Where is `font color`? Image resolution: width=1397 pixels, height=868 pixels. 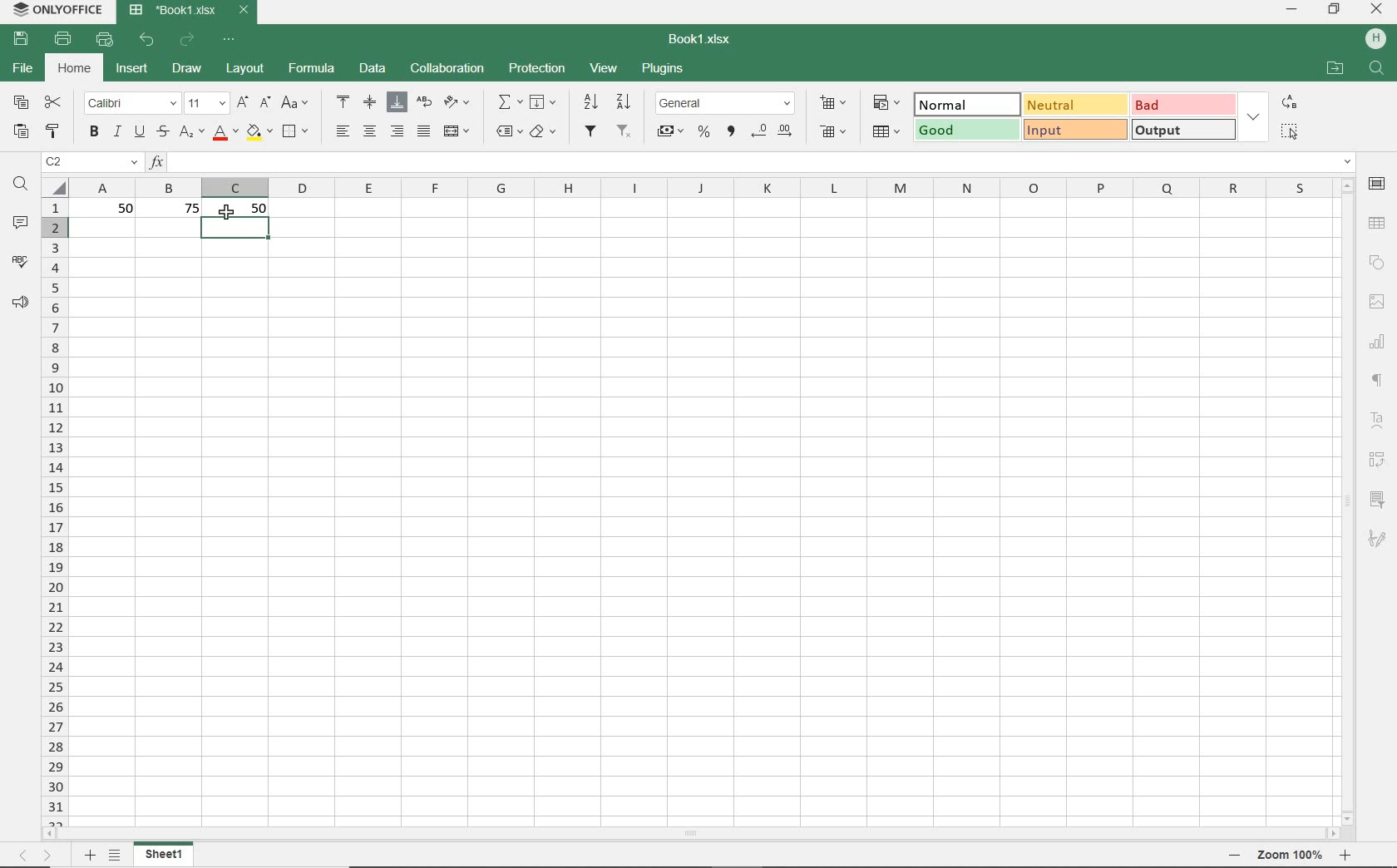 font color is located at coordinates (223, 132).